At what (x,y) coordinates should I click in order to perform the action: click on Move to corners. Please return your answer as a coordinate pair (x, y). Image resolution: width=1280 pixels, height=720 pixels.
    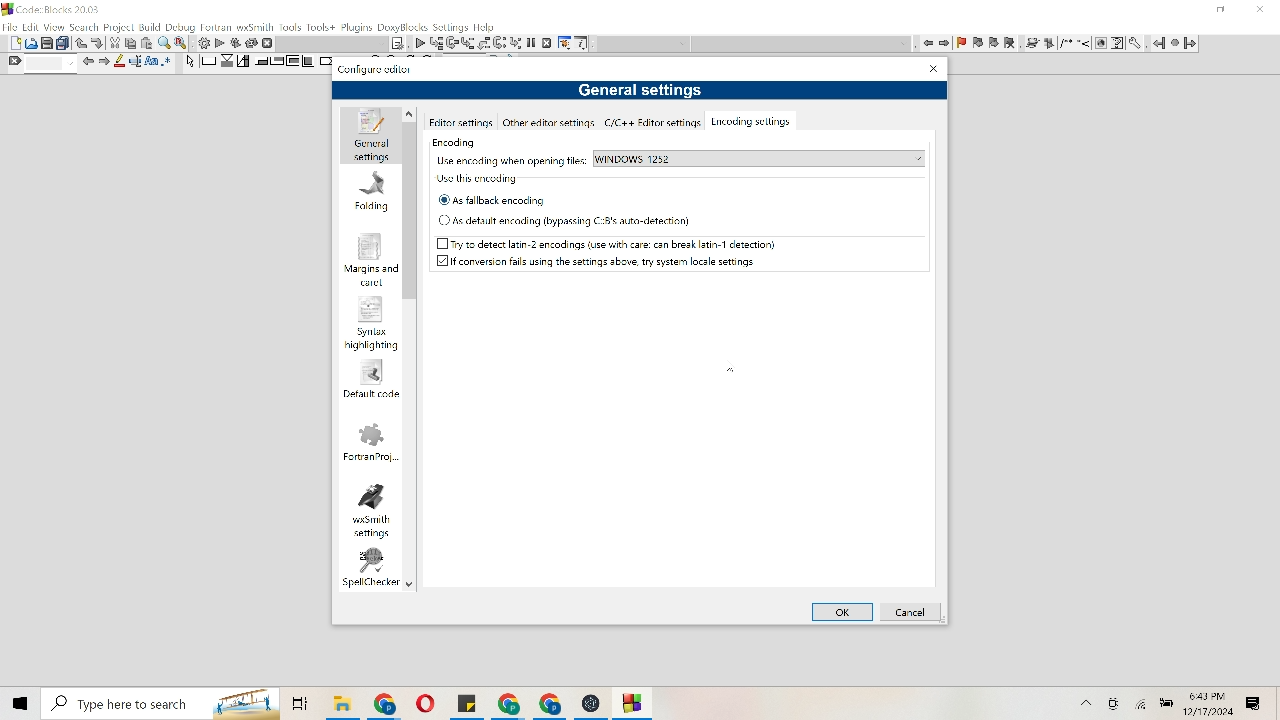
    Looking at the image, I should click on (260, 61).